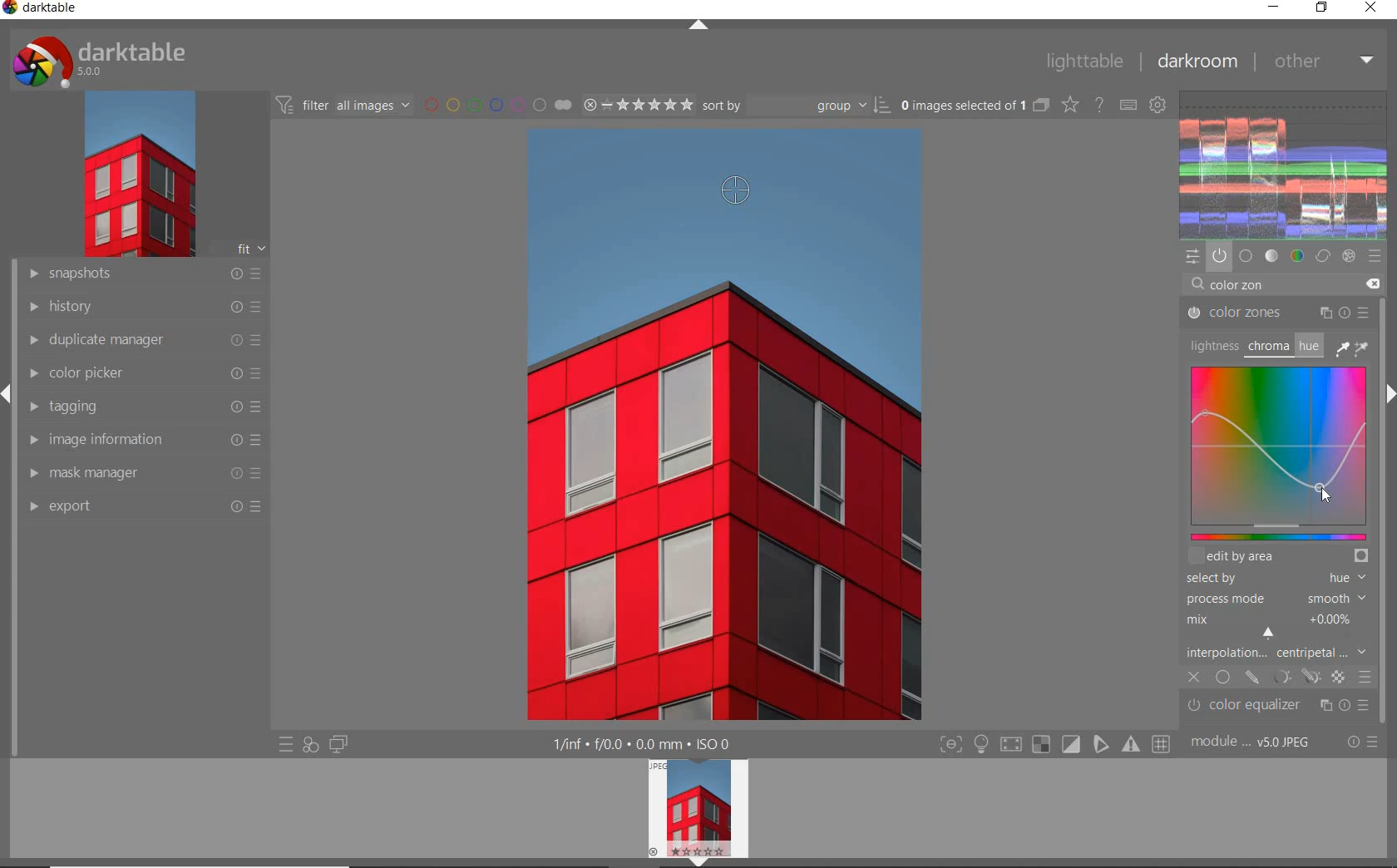 Image resolution: width=1397 pixels, height=868 pixels. I want to click on filter all images, so click(344, 105).